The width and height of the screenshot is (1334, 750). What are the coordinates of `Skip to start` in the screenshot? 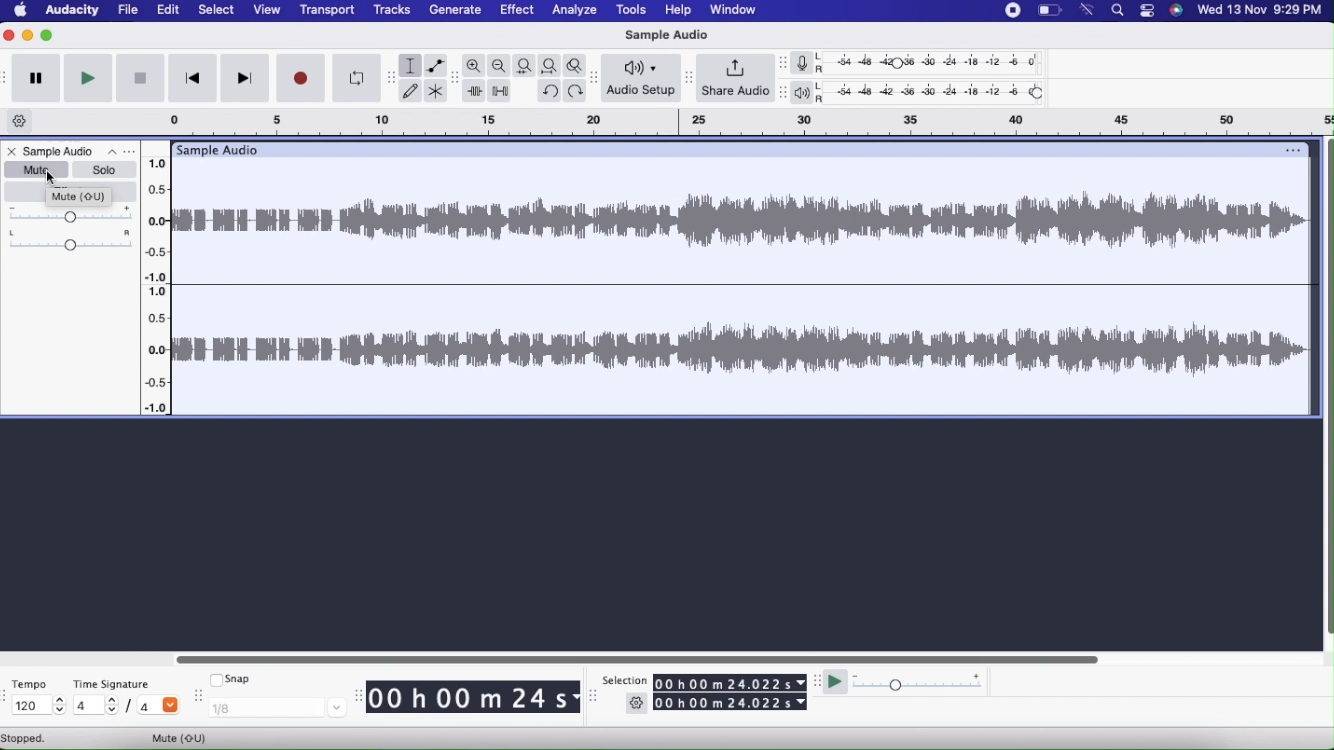 It's located at (193, 79).